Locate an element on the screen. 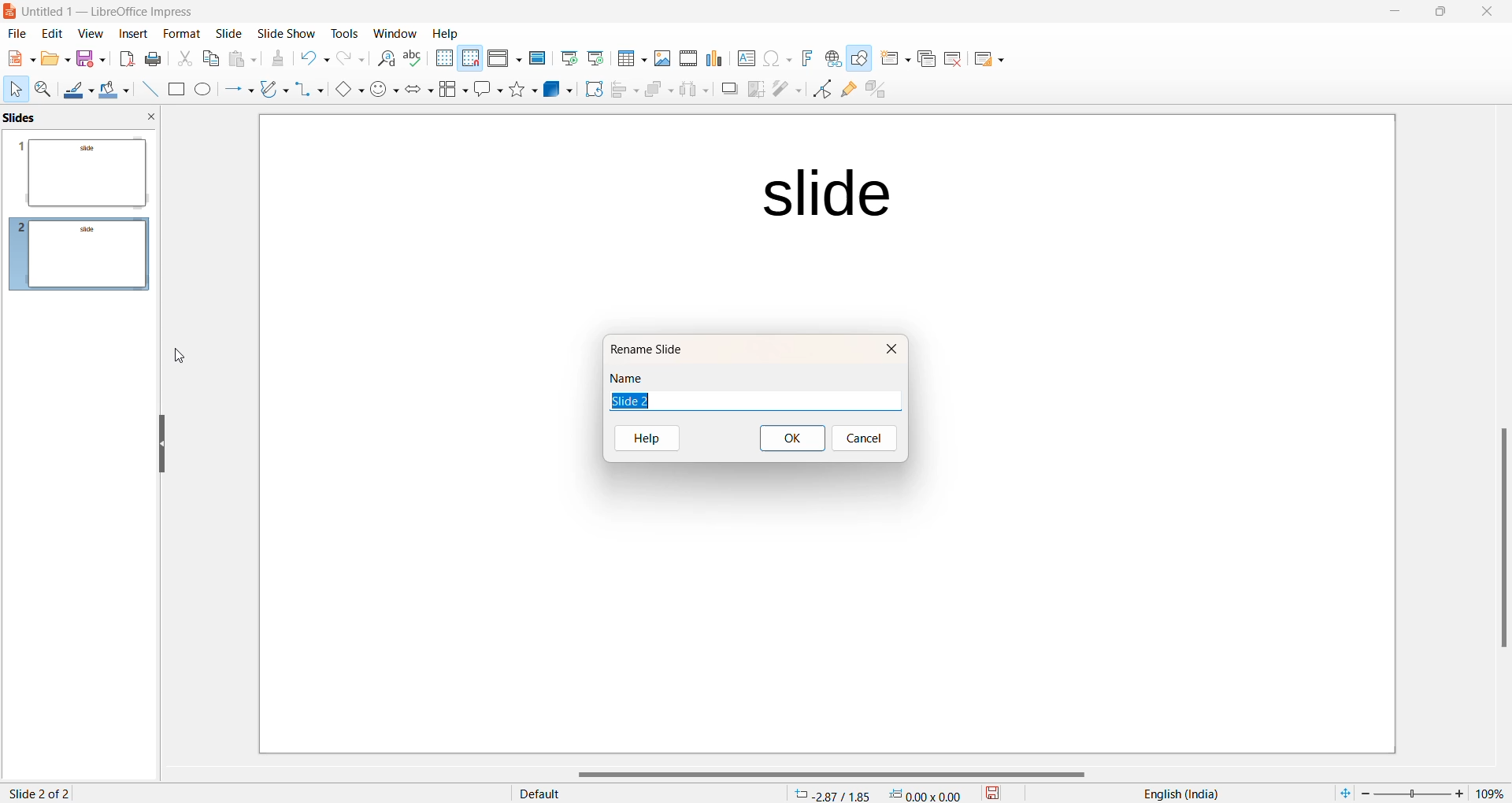  Redo is located at coordinates (351, 58).